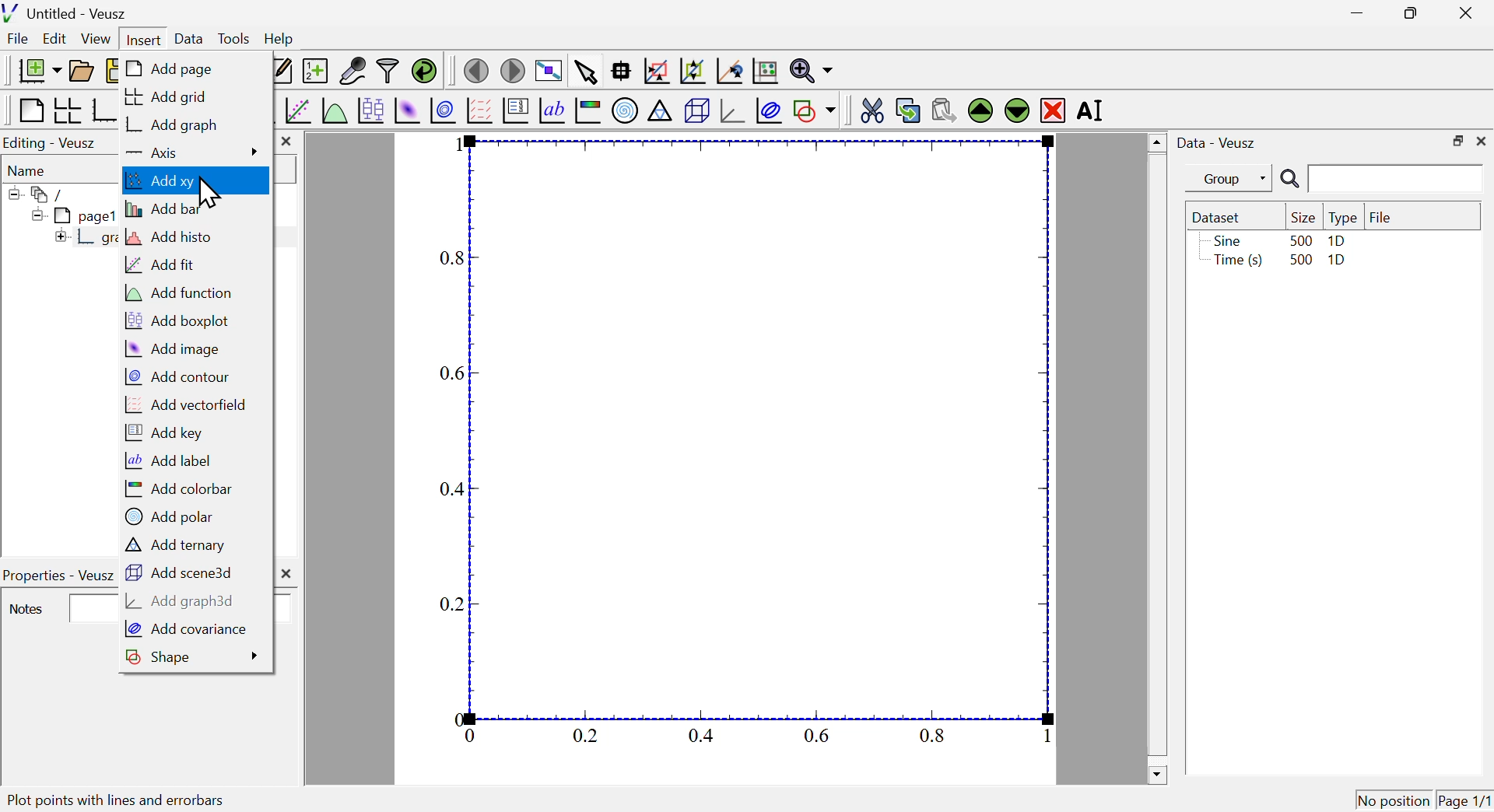 This screenshot has height=812, width=1494. Describe the element at coordinates (35, 70) in the screenshot. I see `new document` at that location.